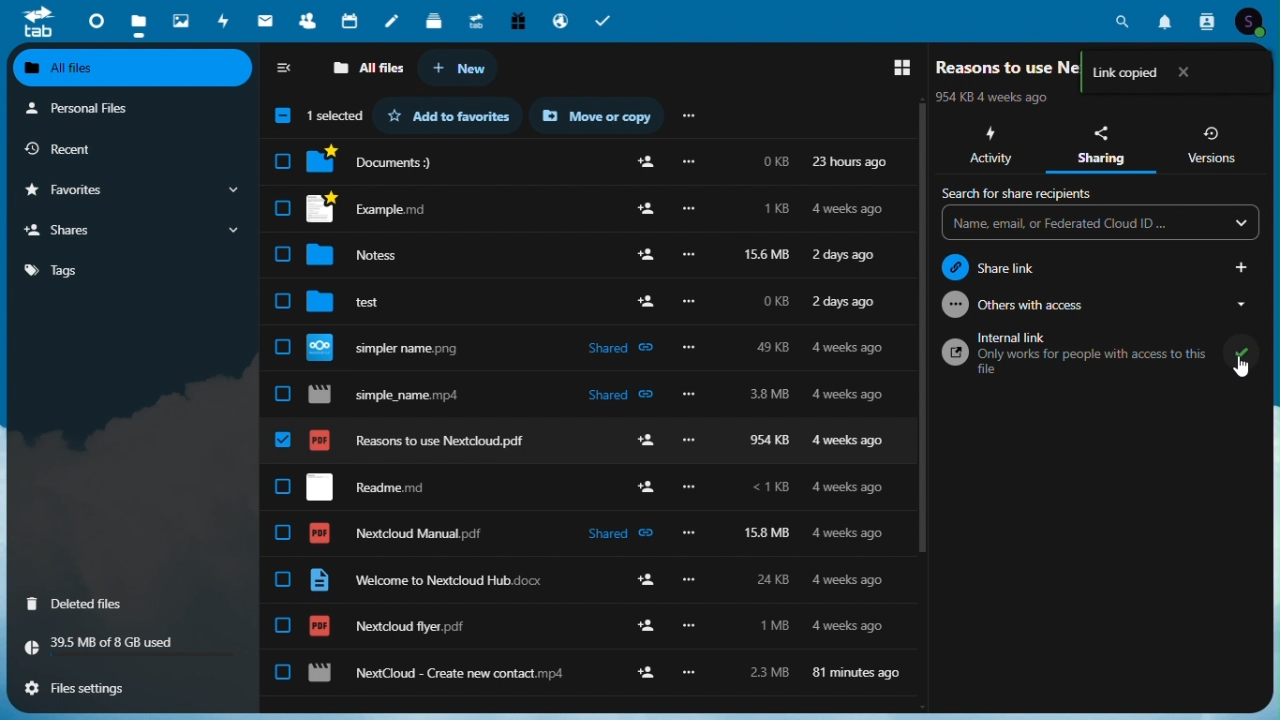  What do you see at coordinates (642, 211) in the screenshot?
I see ` add user` at bounding box center [642, 211].